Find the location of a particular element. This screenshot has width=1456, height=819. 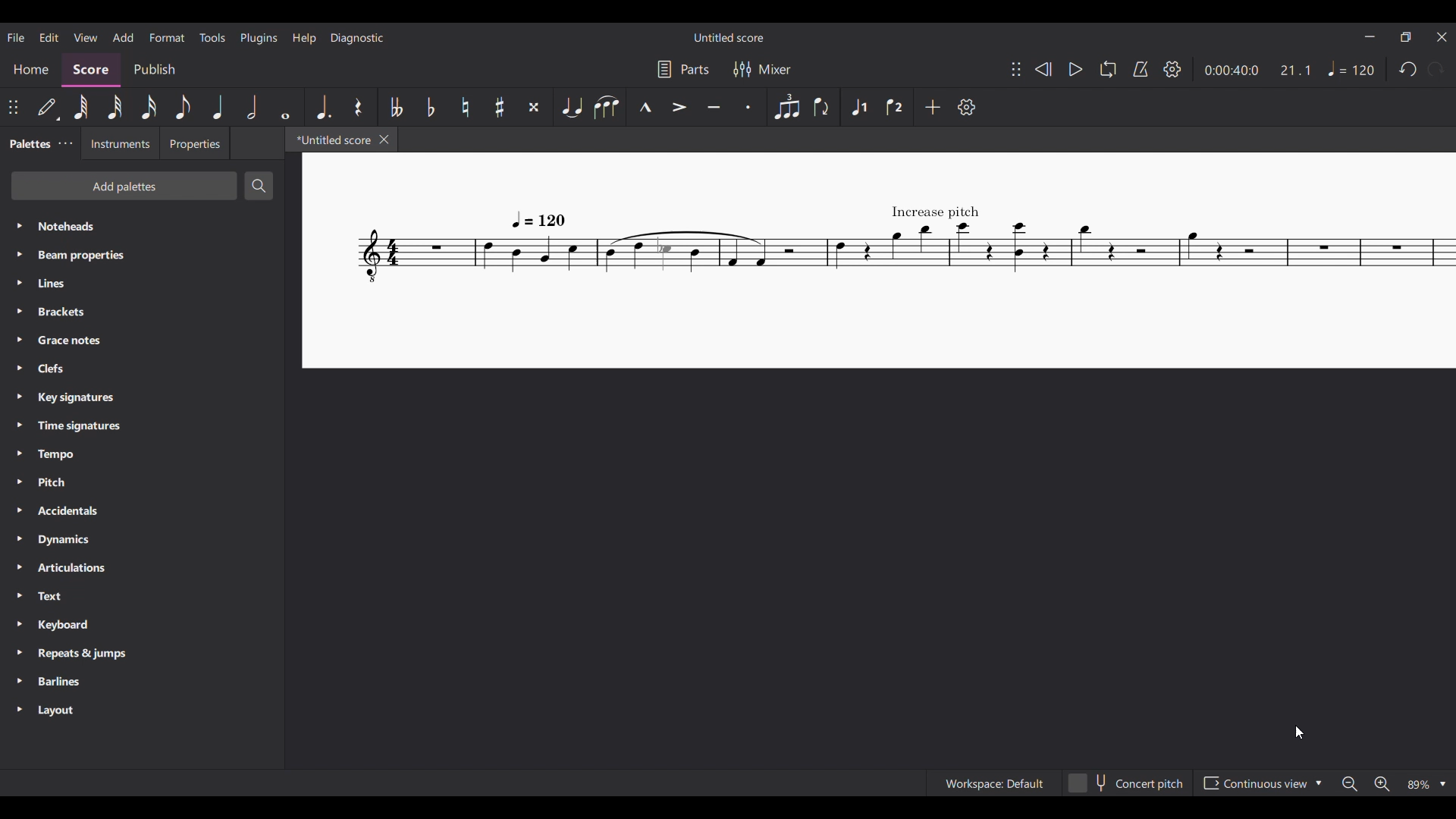

Barlines is located at coordinates (143, 682).